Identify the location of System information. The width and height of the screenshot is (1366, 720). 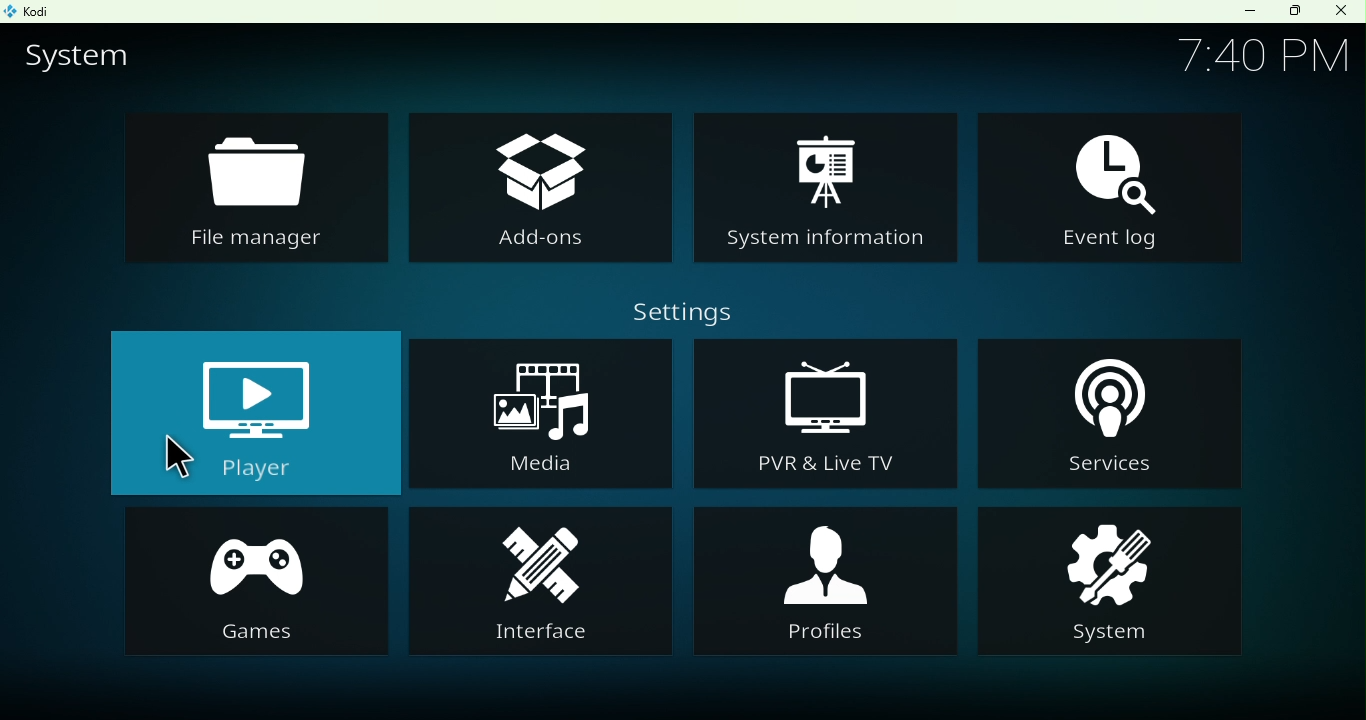
(825, 190).